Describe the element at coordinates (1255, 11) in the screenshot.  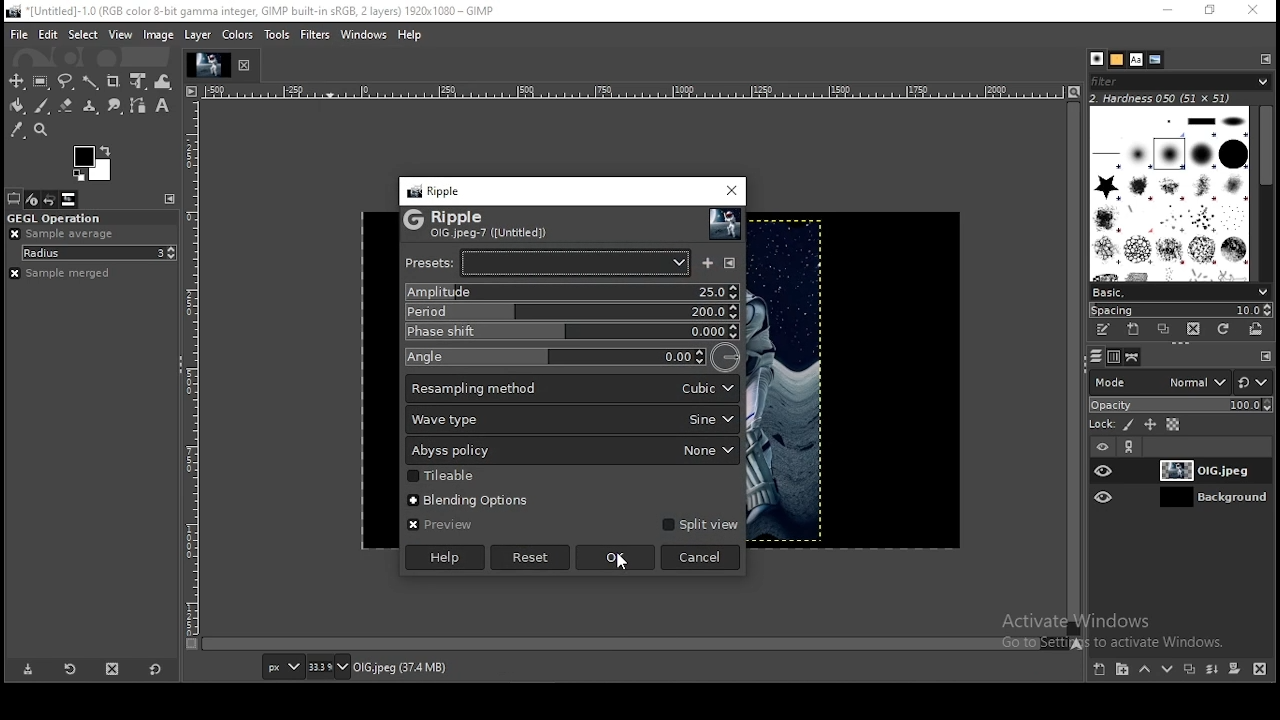
I see `close window` at that location.